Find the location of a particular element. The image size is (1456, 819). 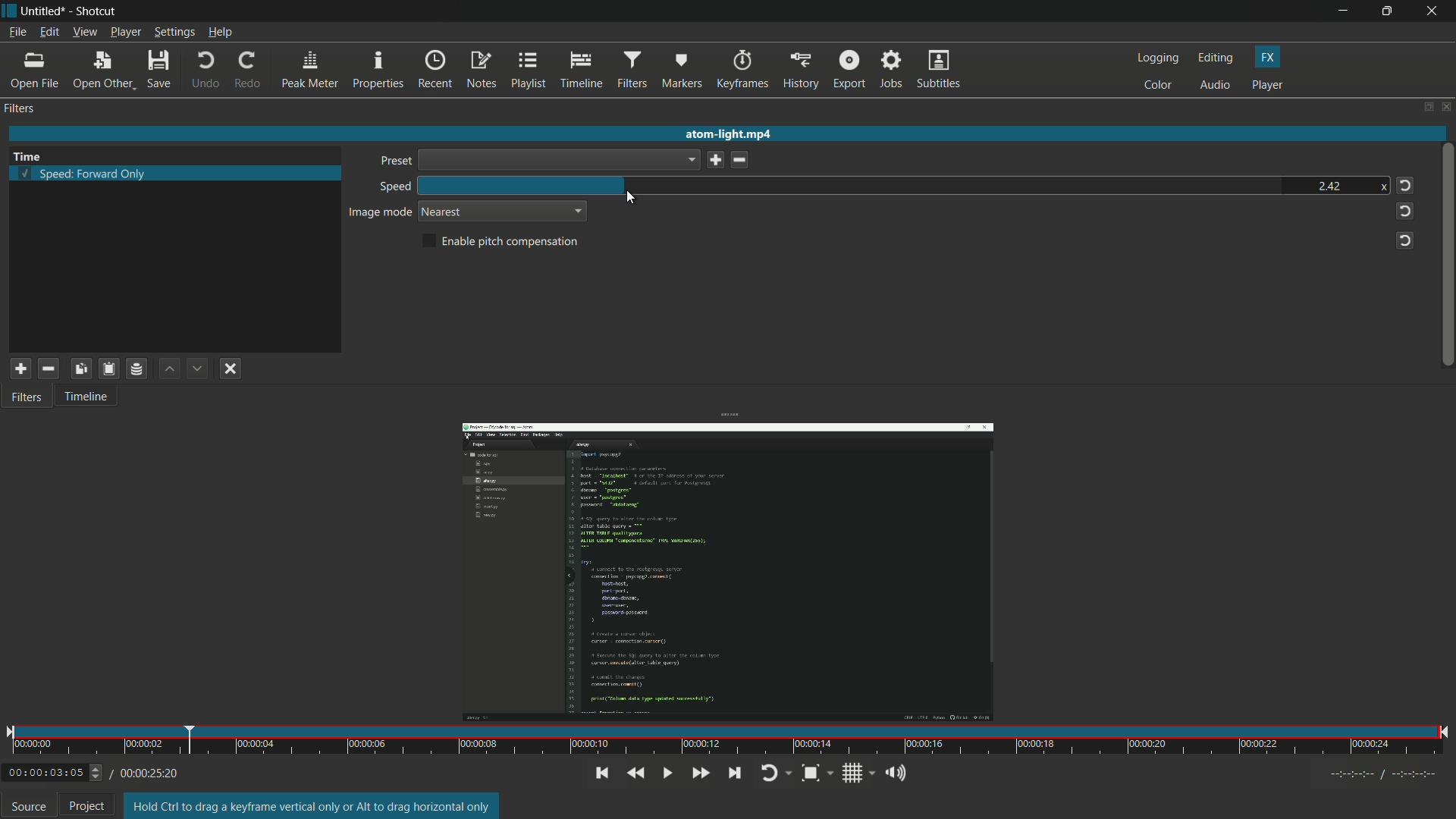

Time is located at coordinates (35, 154).